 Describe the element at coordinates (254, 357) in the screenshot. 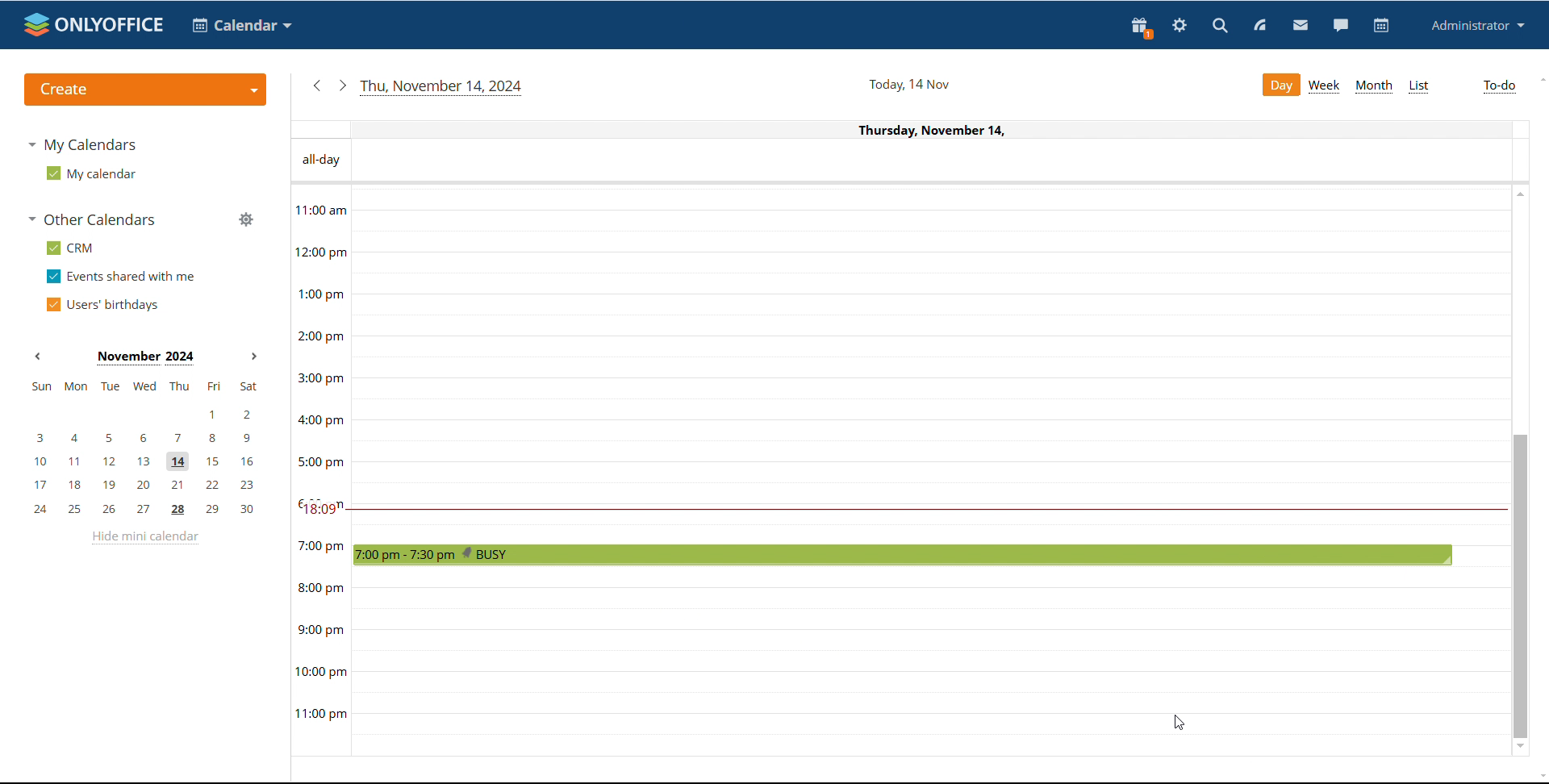

I see `next month` at that location.